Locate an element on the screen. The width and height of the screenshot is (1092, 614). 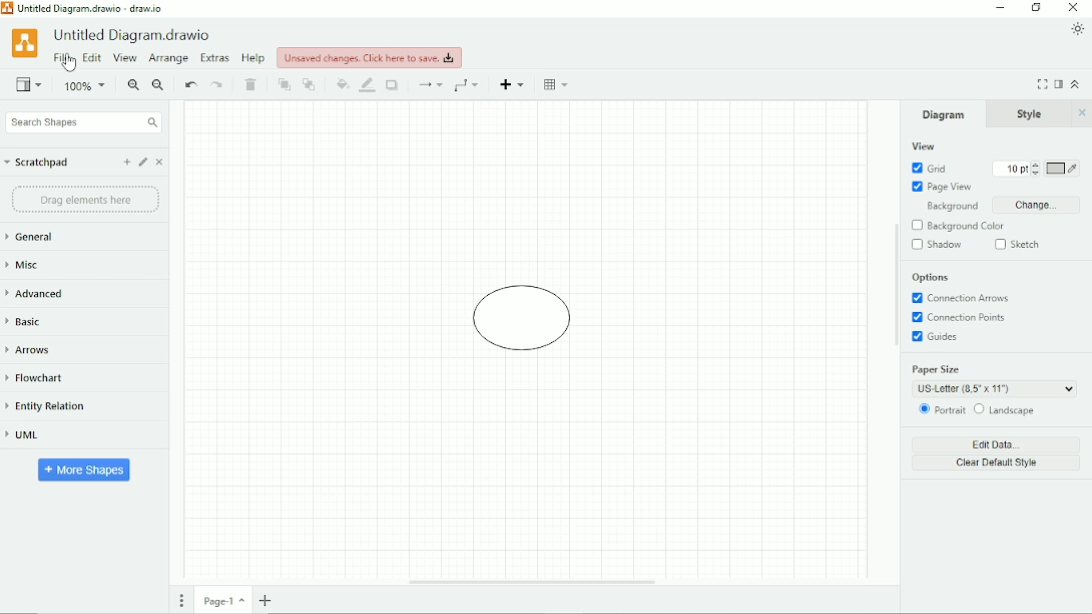
Add is located at coordinates (127, 162).